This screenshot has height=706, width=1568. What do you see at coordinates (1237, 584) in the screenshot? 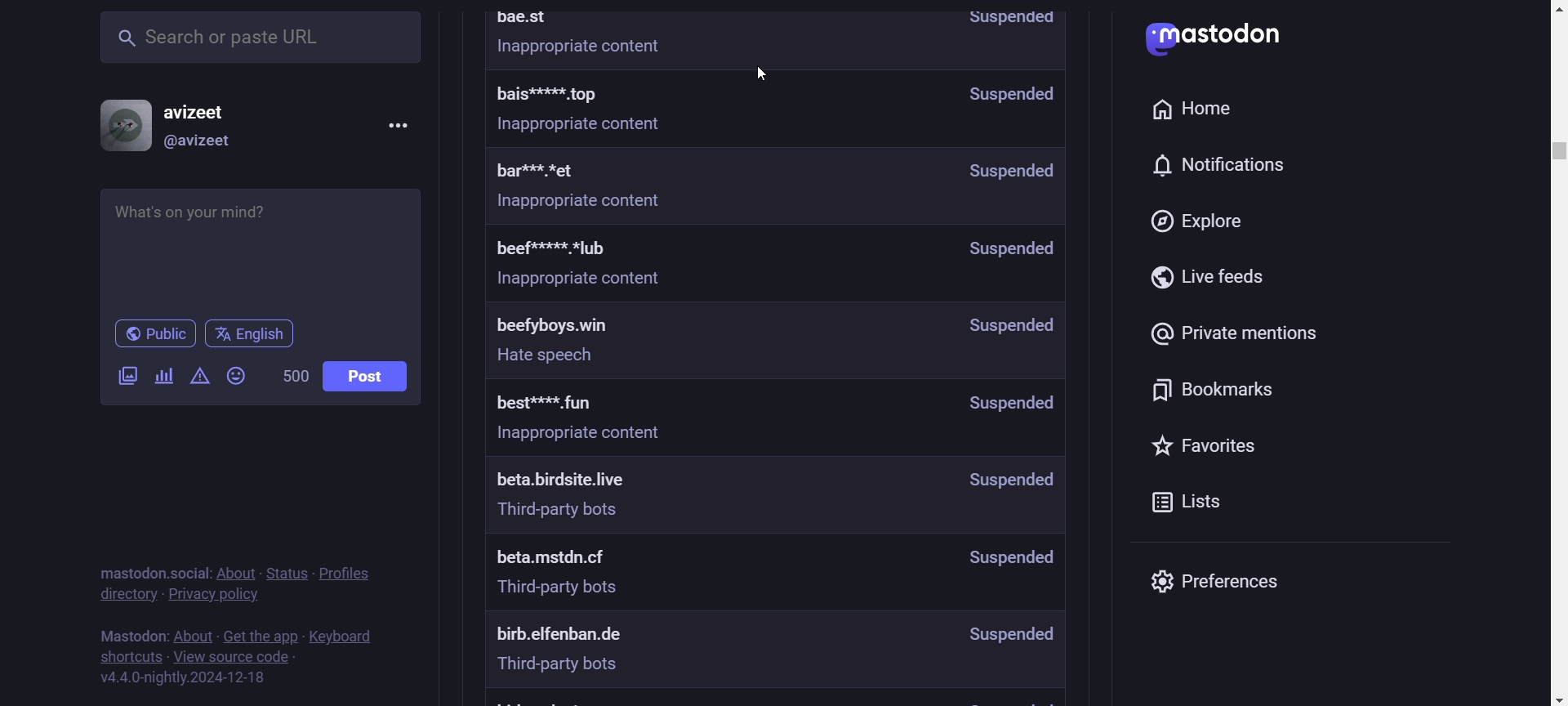
I see `preferences` at bounding box center [1237, 584].